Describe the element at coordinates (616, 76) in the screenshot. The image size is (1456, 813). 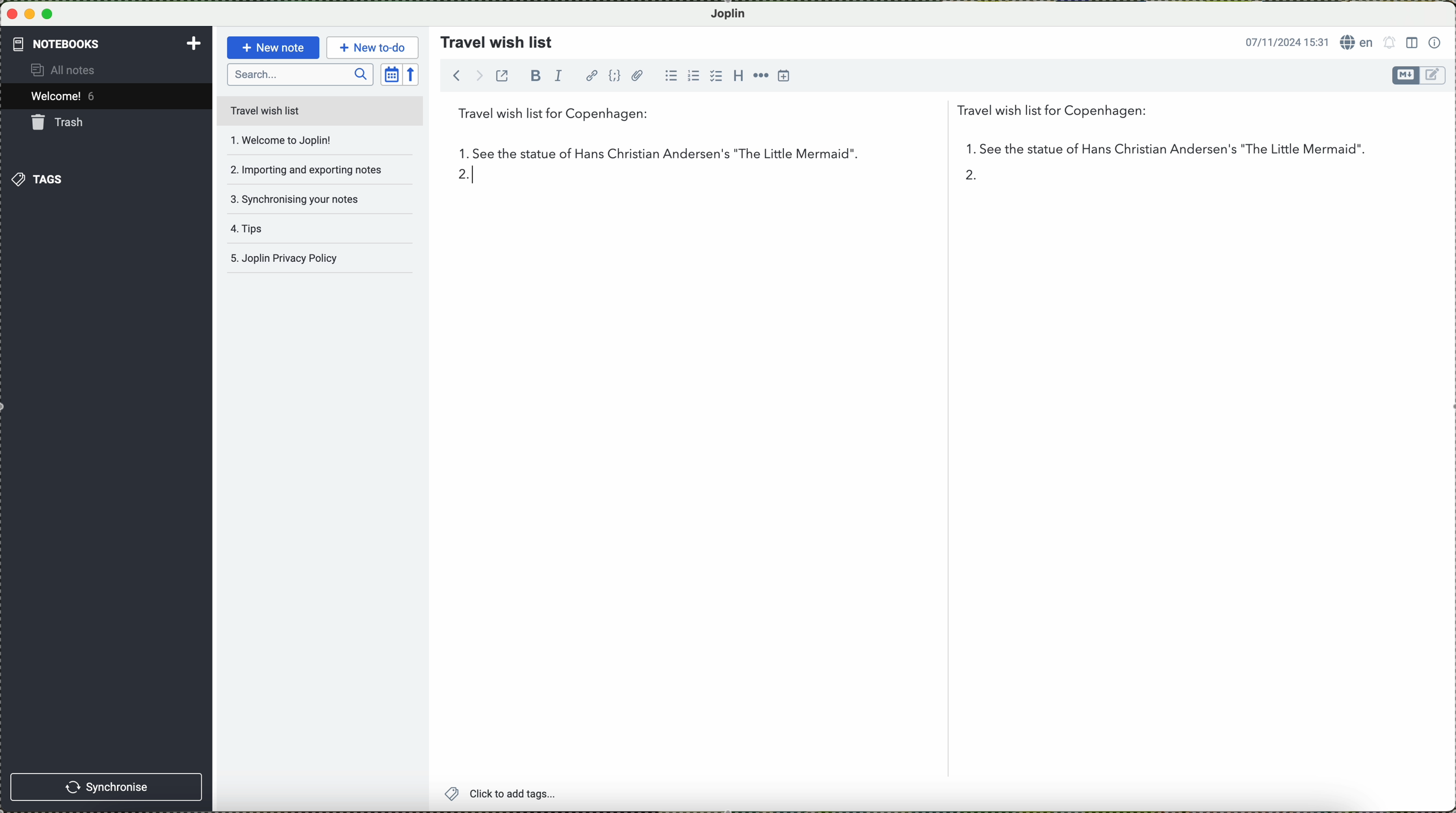
I see `code` at that location.